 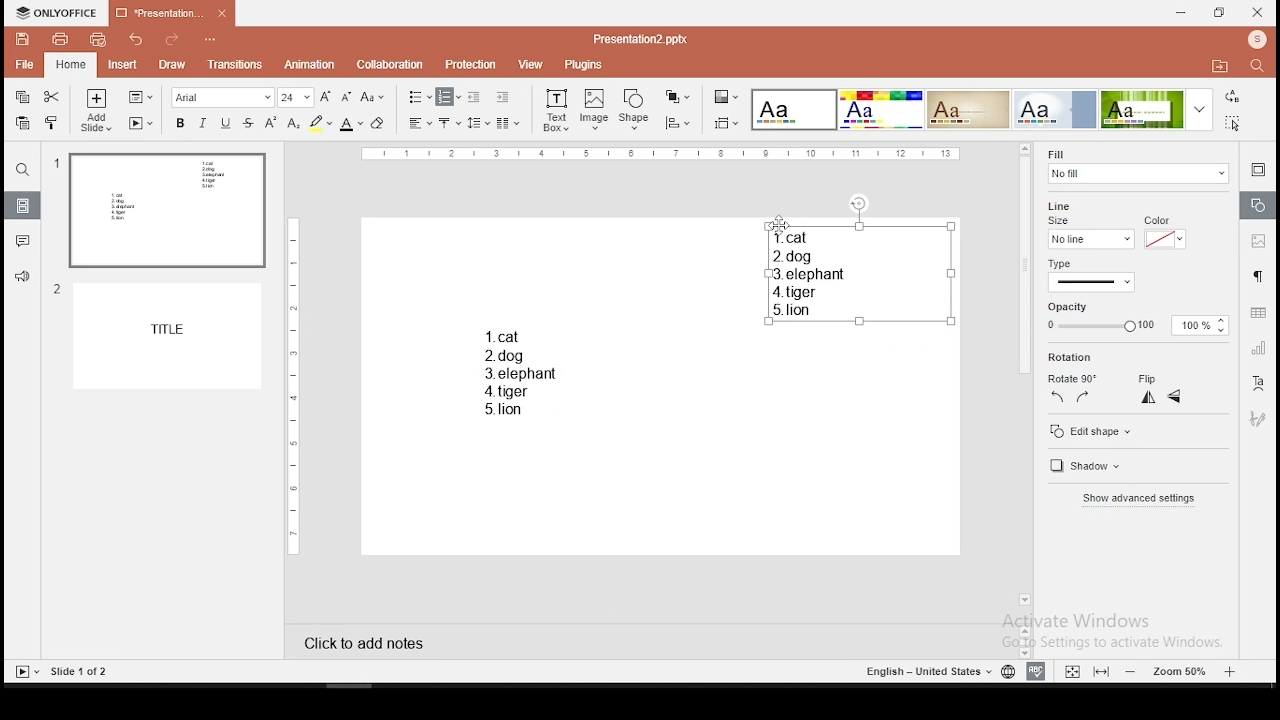 I want to click on numbers, so click(x=55, y=233).